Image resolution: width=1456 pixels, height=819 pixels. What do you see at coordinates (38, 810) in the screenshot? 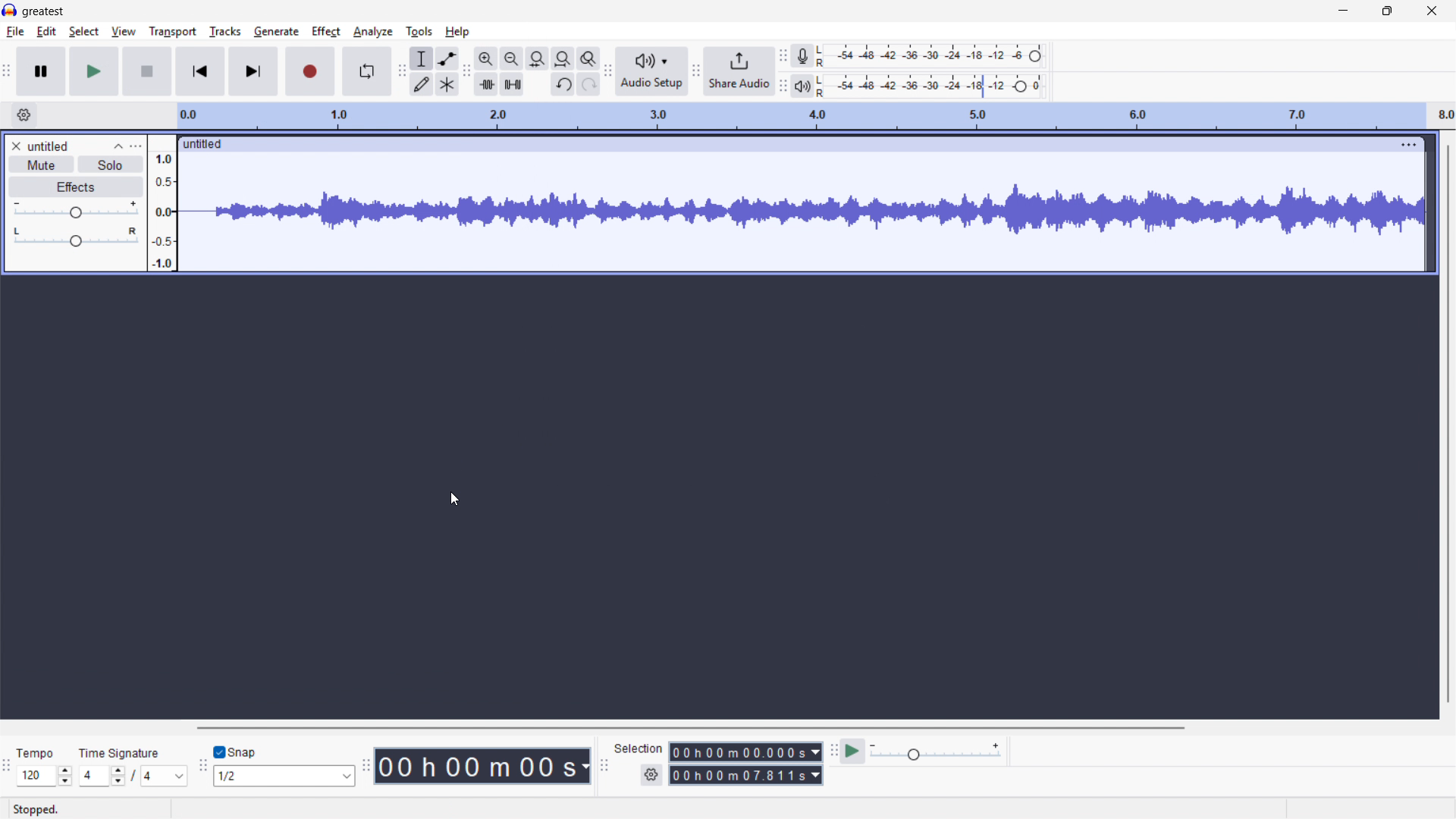
I see `stopped` at bounding box center [38, 810].